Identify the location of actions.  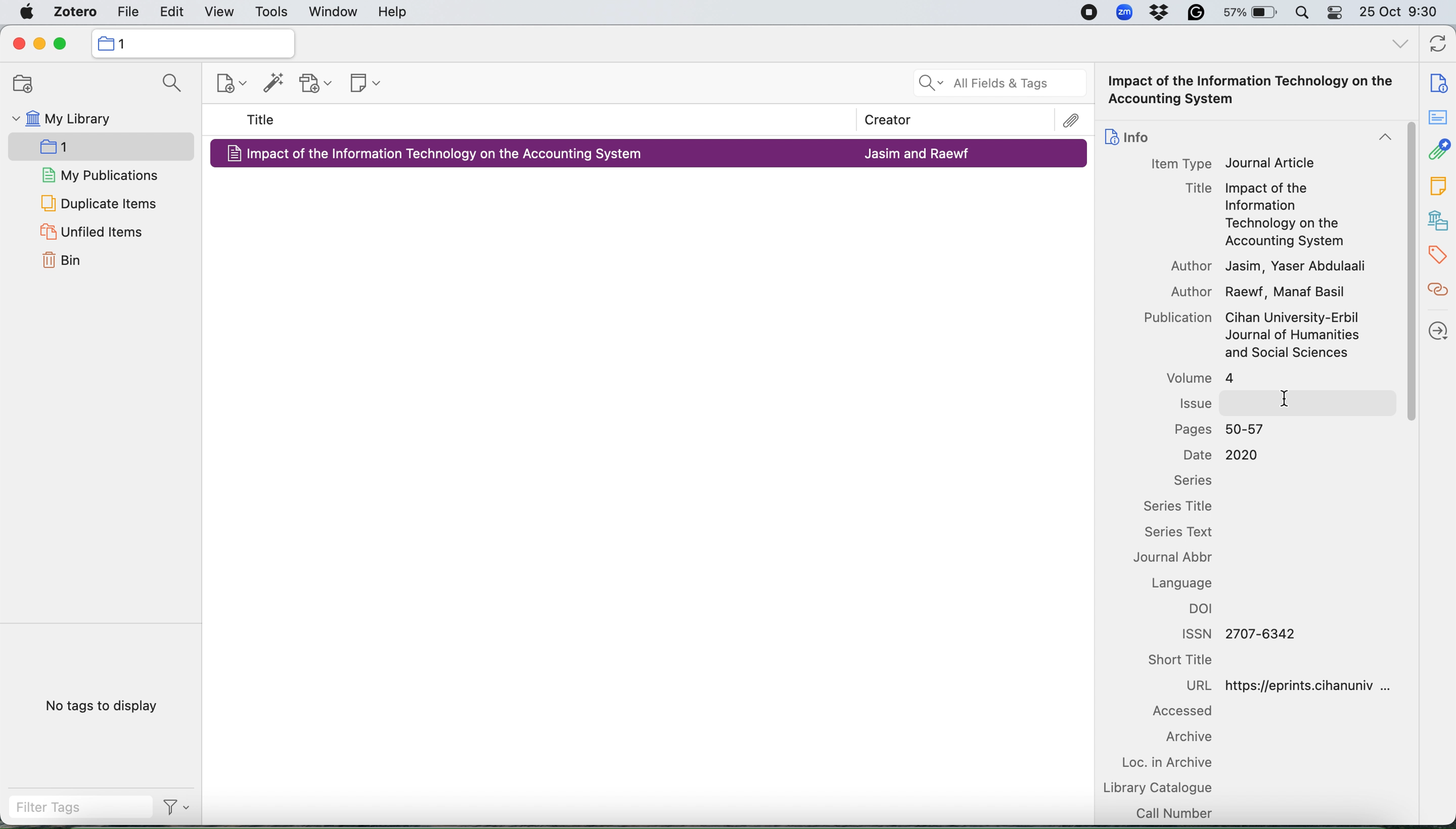
(175, 810).